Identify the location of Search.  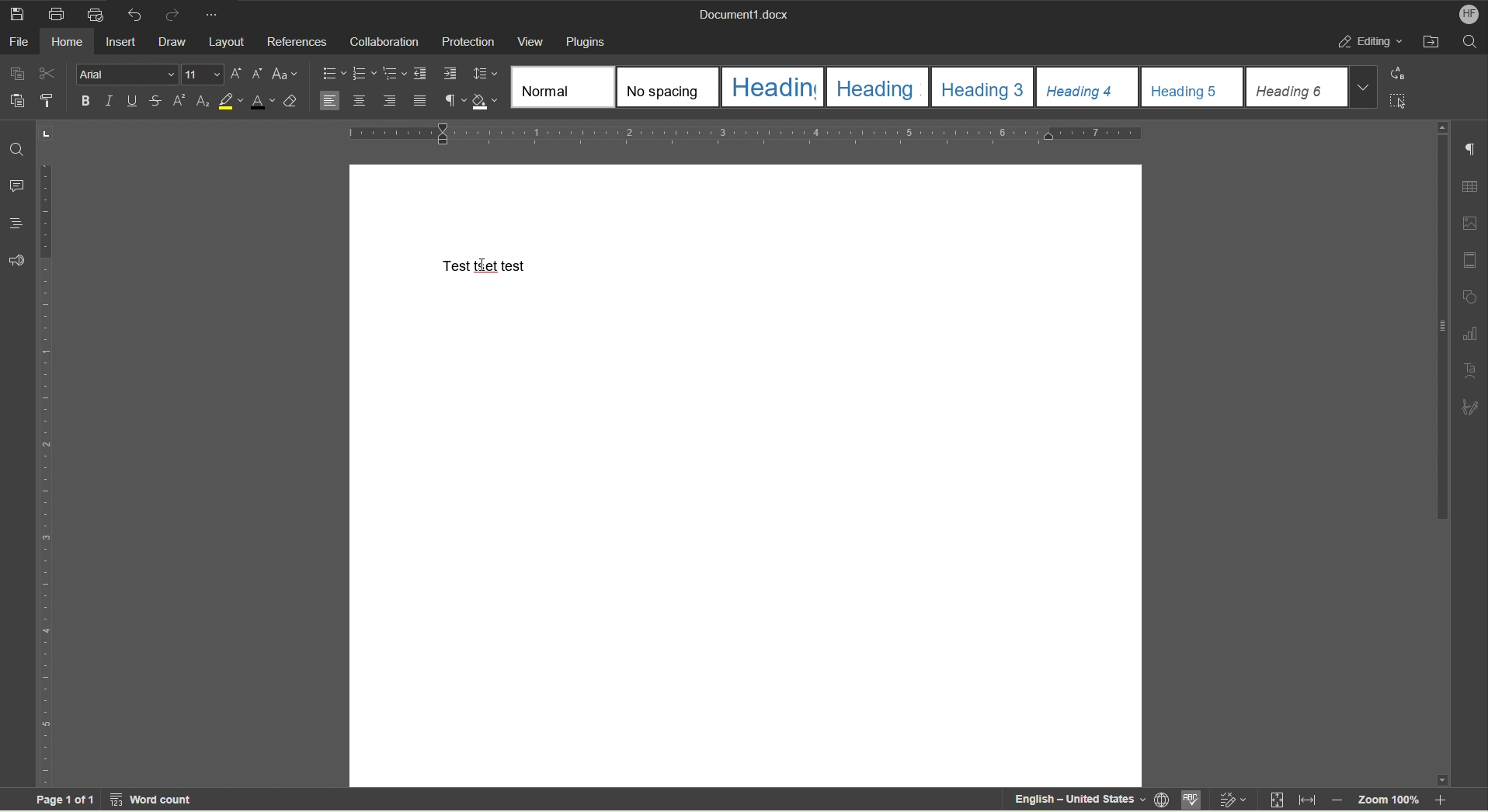
(1469, 40).